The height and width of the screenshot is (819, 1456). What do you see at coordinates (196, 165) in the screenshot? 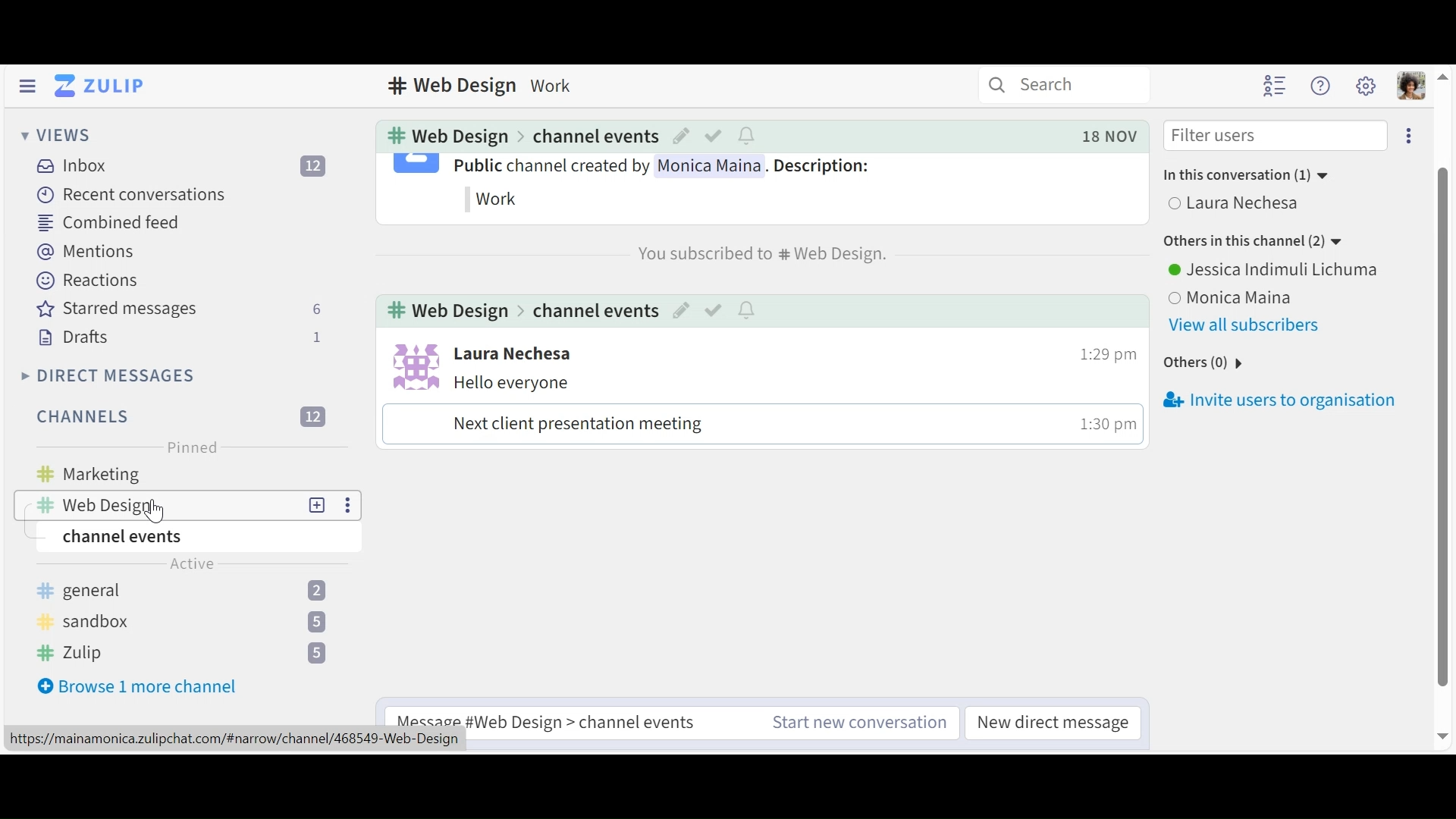
I see `Inbox` at bounding box center [196, 165].